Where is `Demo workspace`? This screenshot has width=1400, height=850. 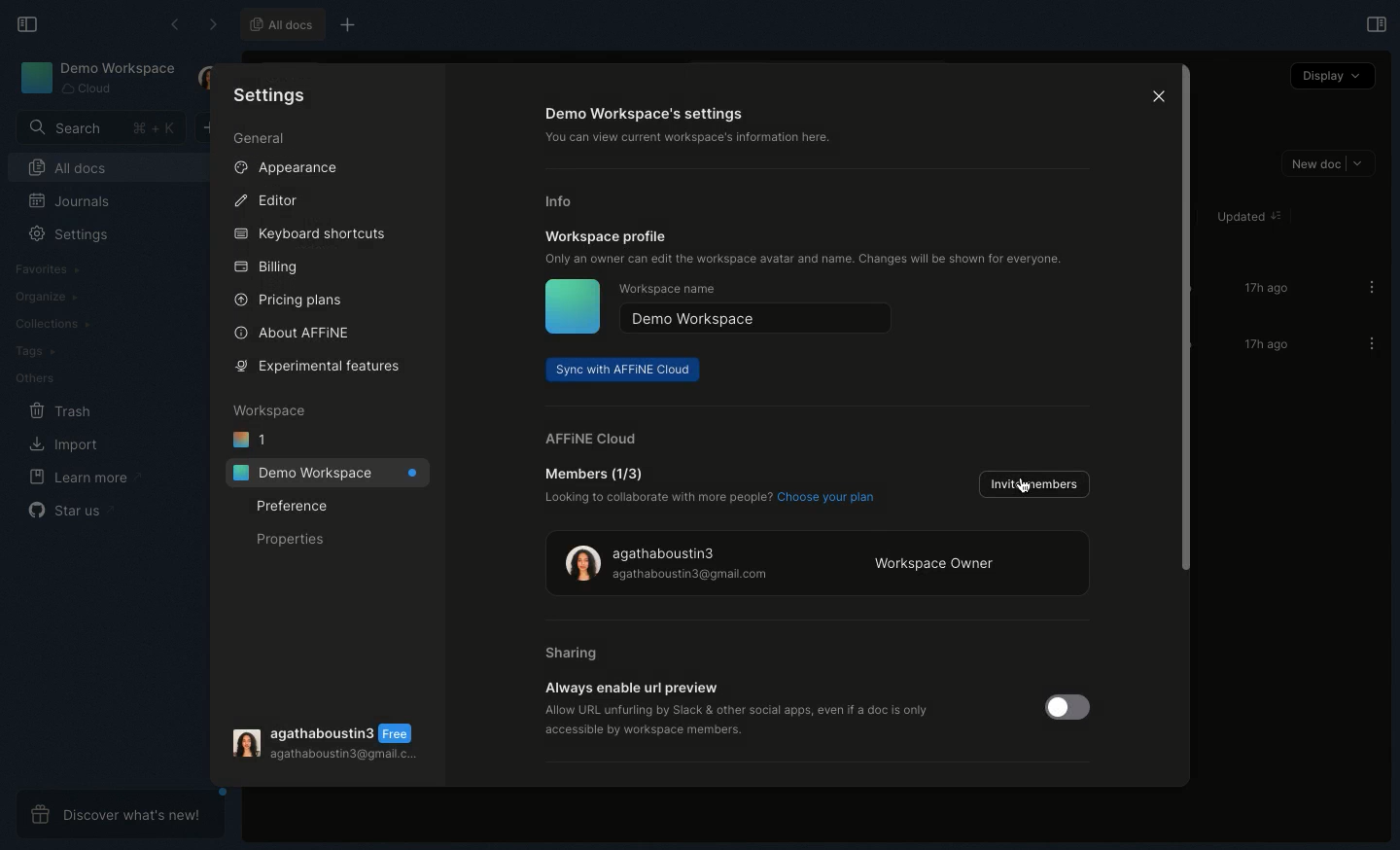 Demo workspace is located at coordinates (327, 472).